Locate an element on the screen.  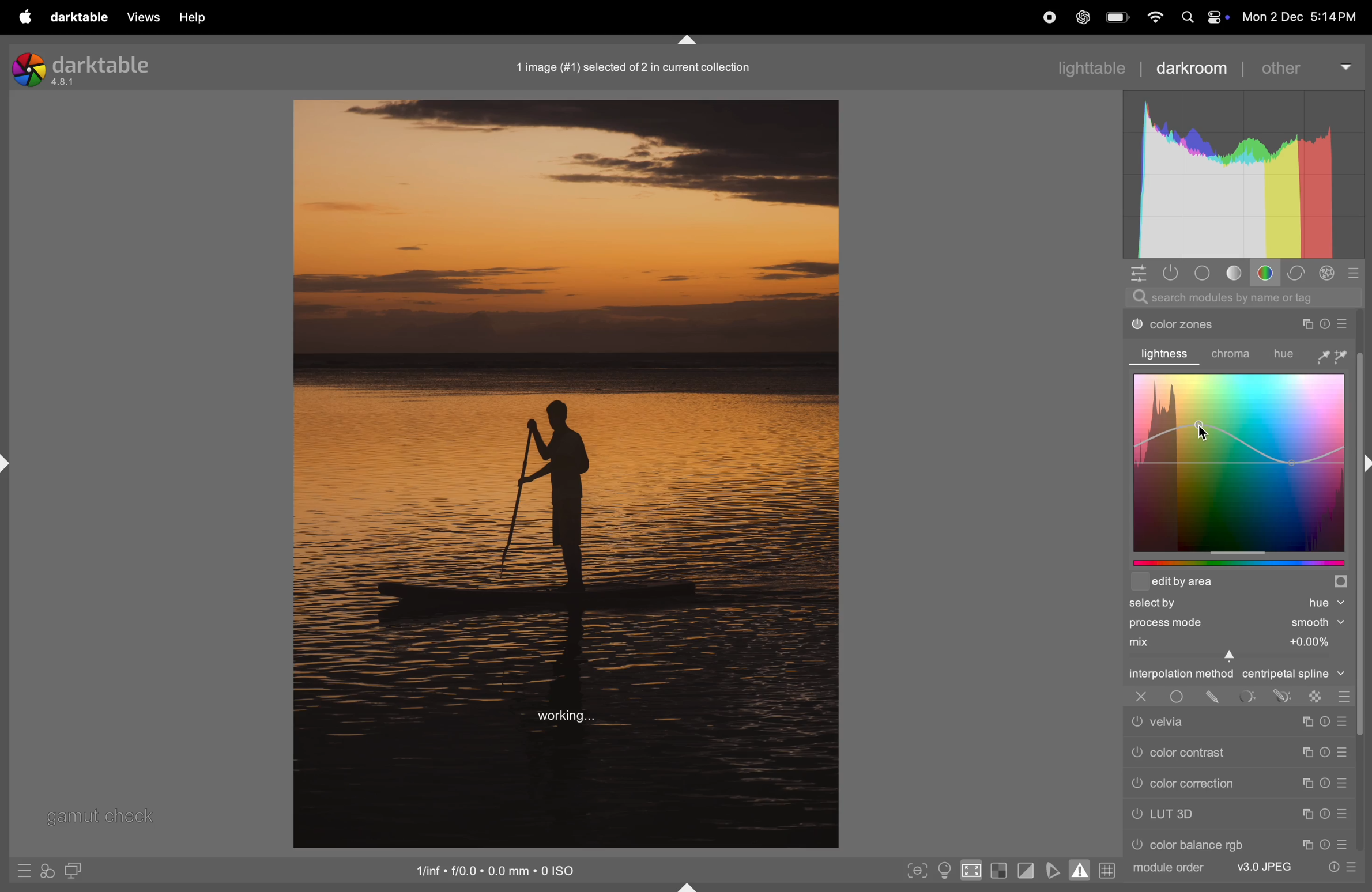
chroma is located at coordinates (1235, 354).